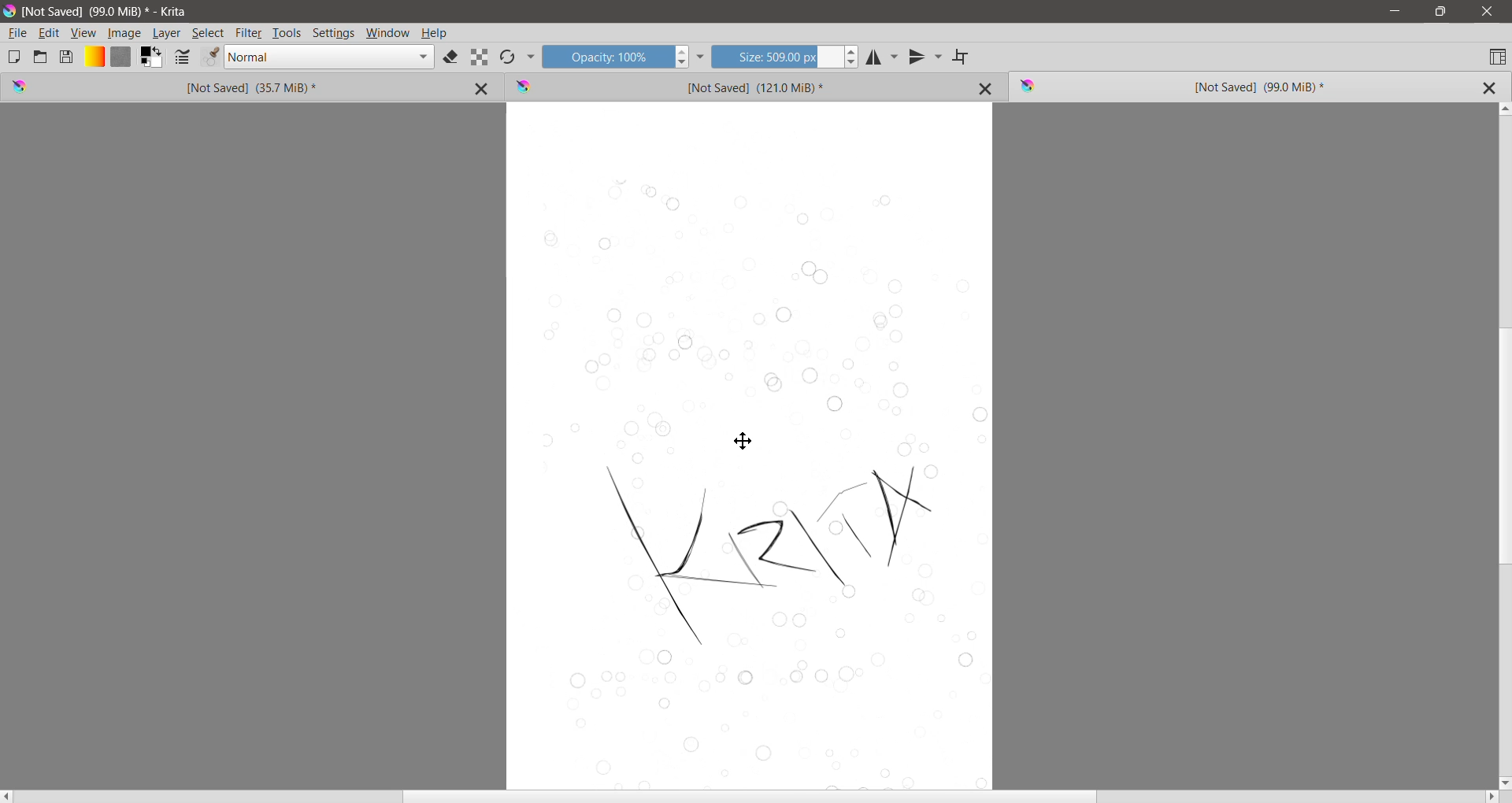 This screenshot has width=1512, height=803. I want to click on Fill Gradients, so click(94, 57).